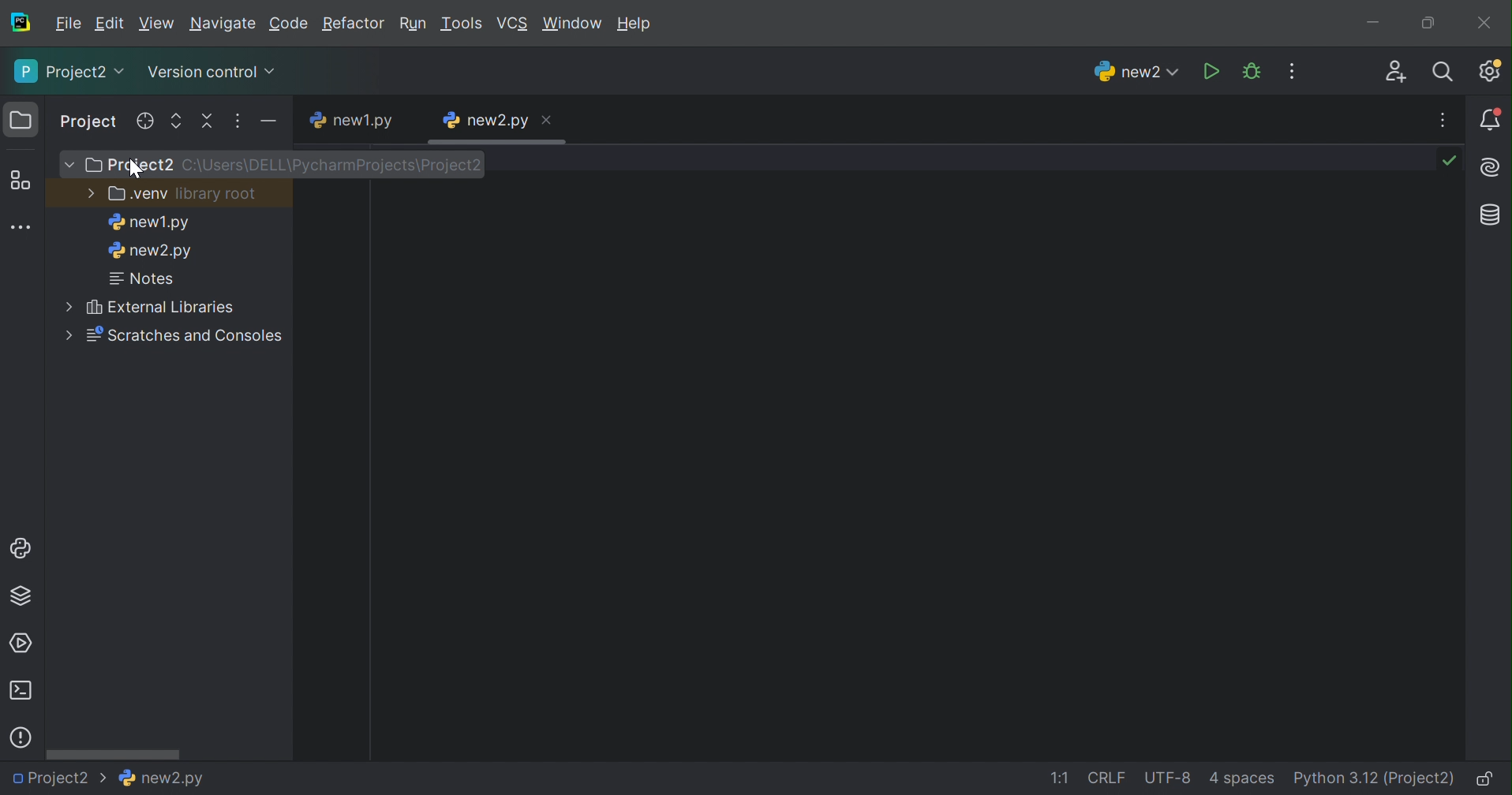 The image size is (1512, 795). What do you see at coordinates (1375, 778) in the screenshot?
I see `Python 3.12 (Project)` at bounding box center [1375, 778].